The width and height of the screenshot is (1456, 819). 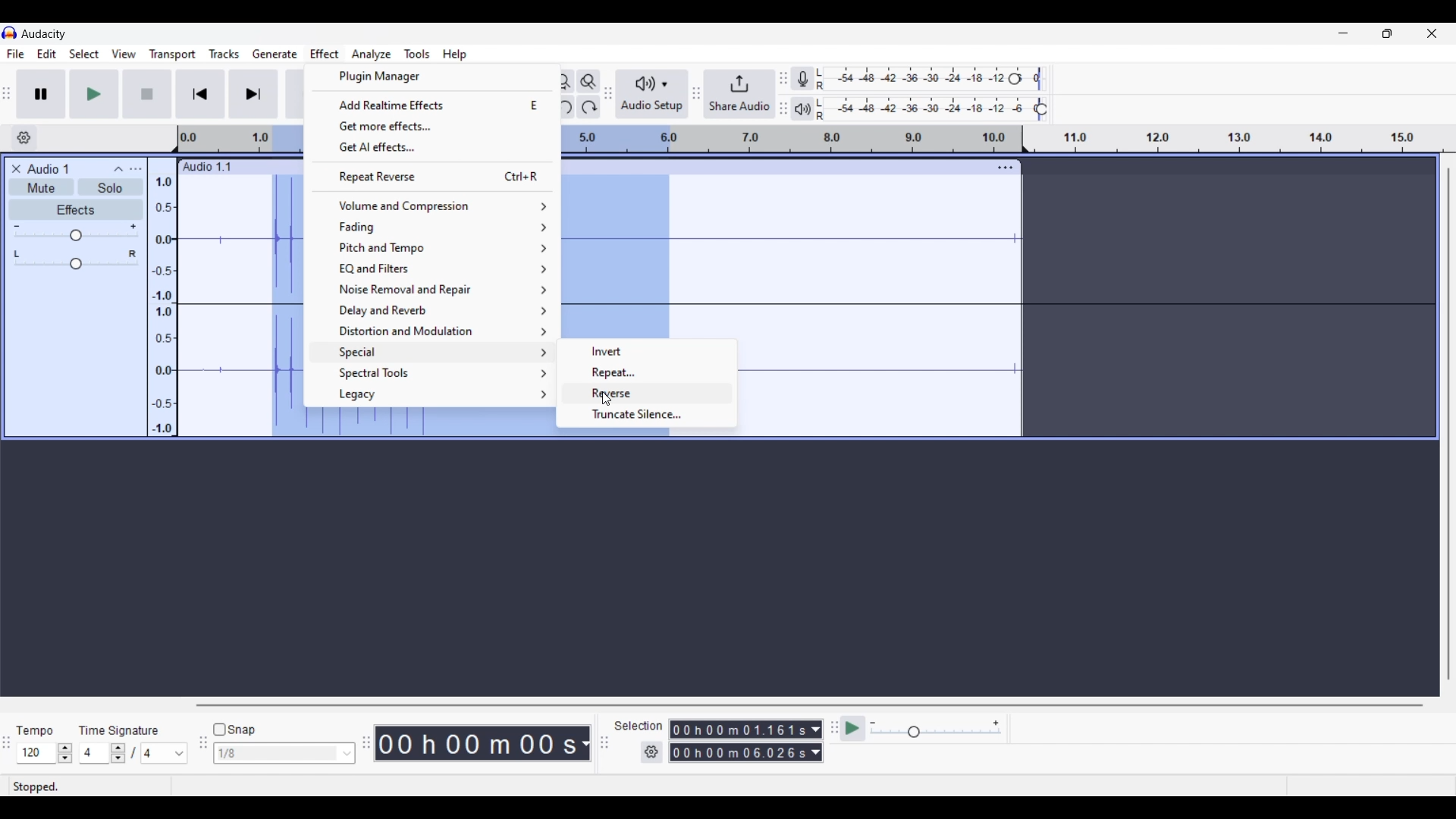 I want to click on Generate menu, so click(x=275, y=55).